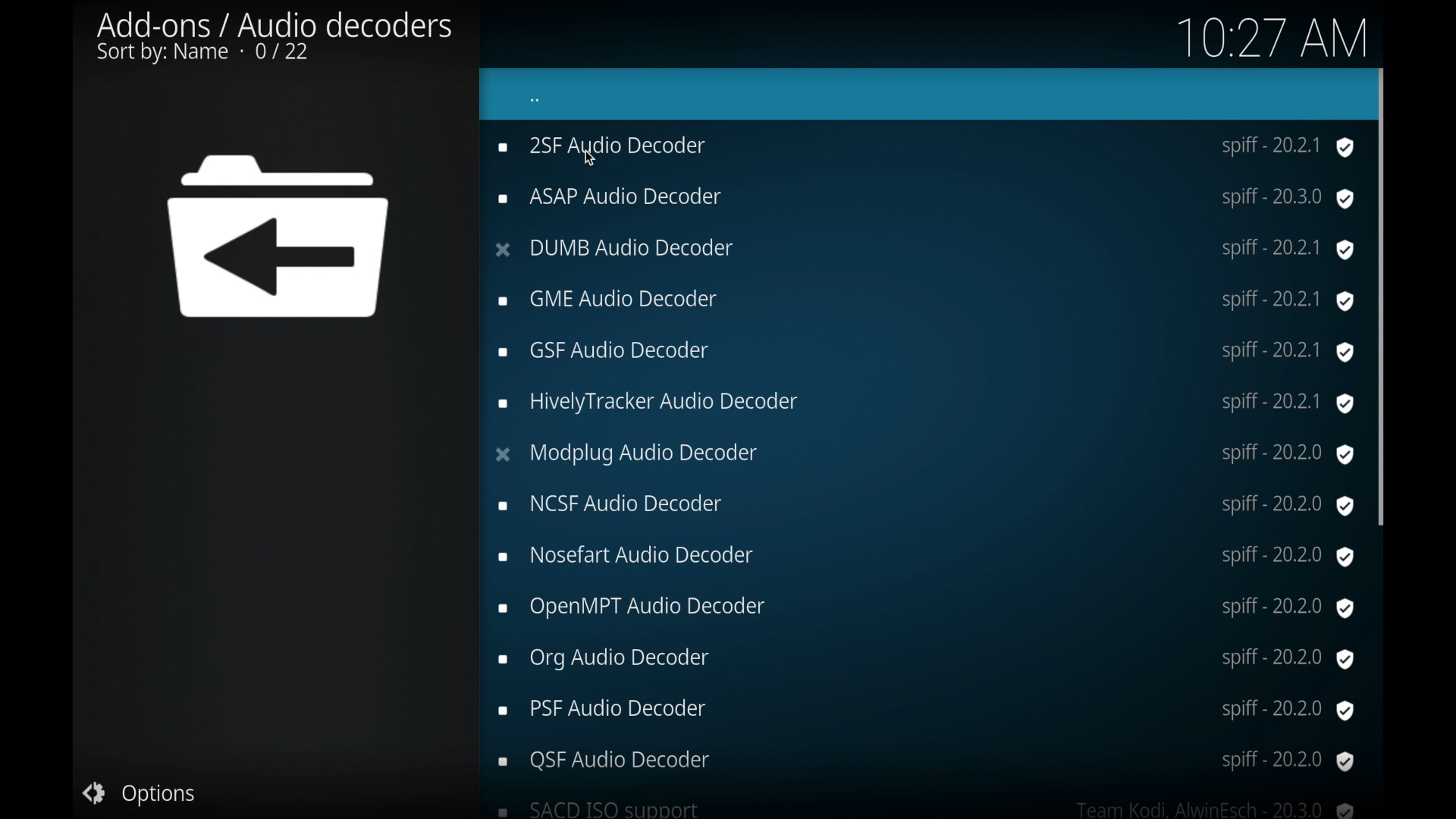 This screenshot has width=1456, height=819. I want to click on QSF audio decoder, so click(927, 760).